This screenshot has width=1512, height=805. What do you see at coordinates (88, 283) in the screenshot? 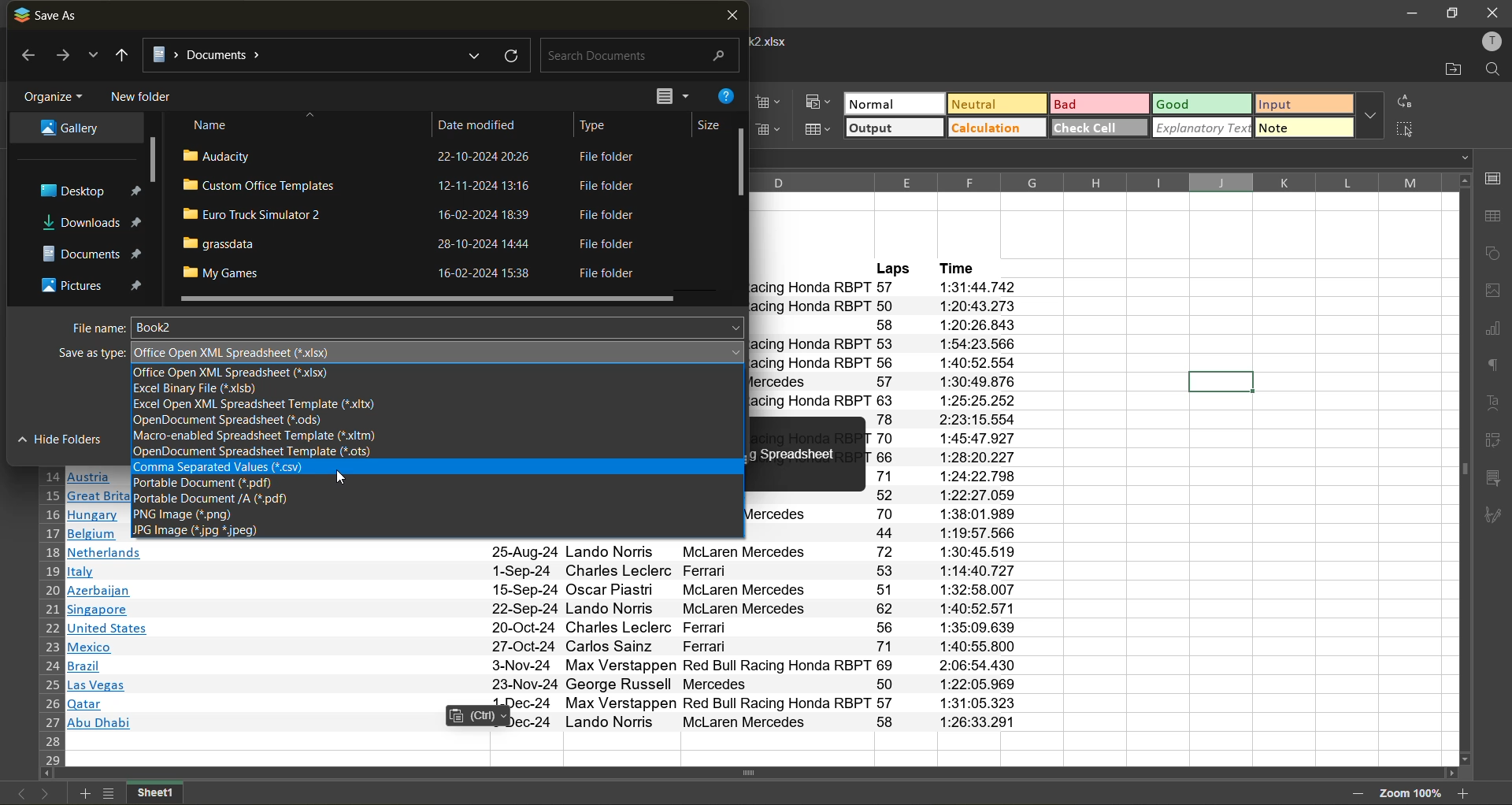
I see `folder` at bounding box center [88, 283].